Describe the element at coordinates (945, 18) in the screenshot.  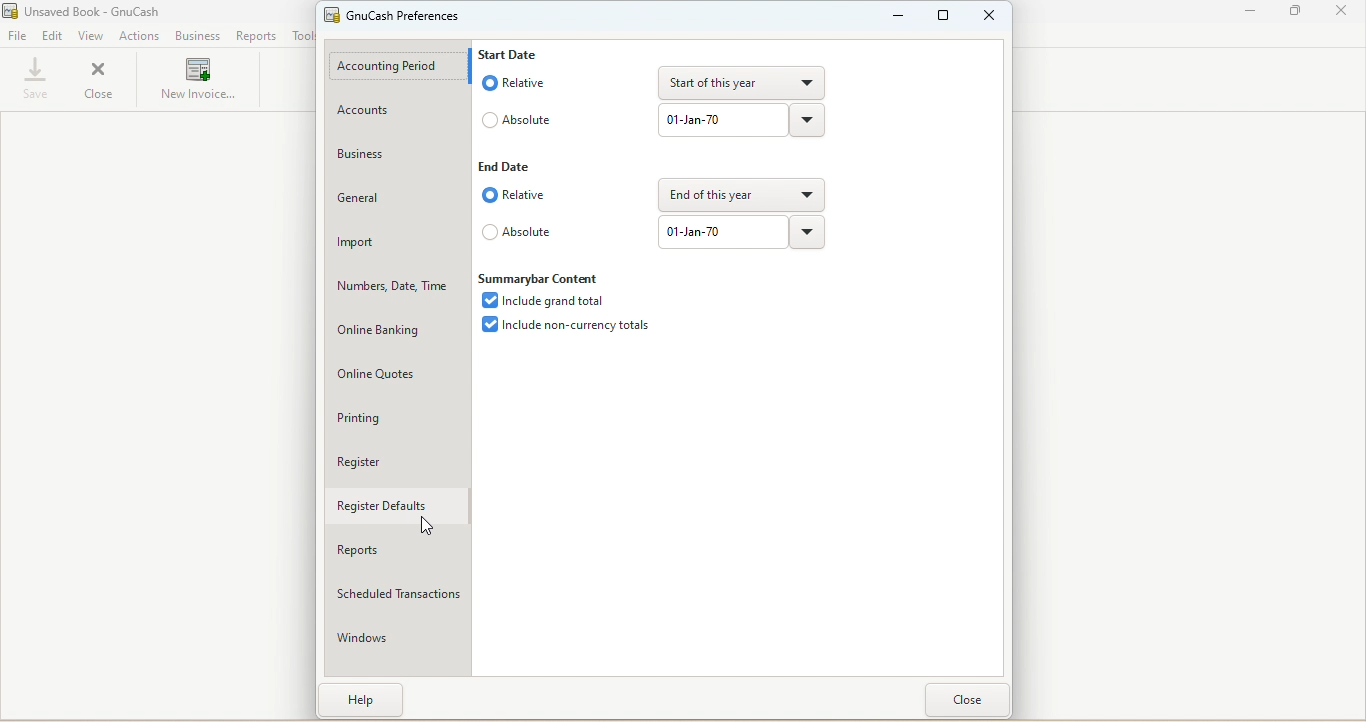
I see `Maxmize` at that location.